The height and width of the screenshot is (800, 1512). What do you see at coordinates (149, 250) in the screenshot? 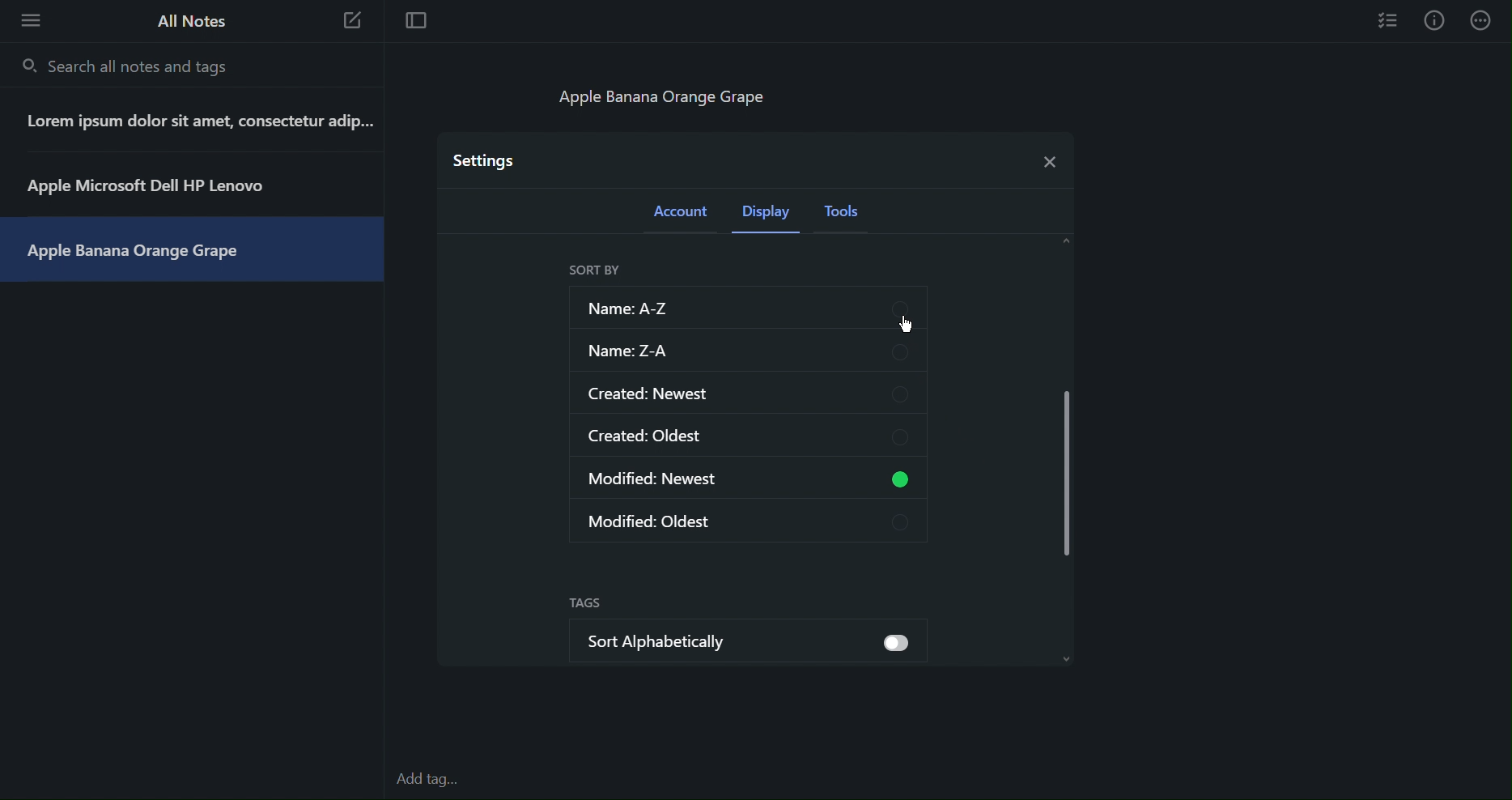
I see `Apple Banana Orange Grape` at bounding box center [149, 250].